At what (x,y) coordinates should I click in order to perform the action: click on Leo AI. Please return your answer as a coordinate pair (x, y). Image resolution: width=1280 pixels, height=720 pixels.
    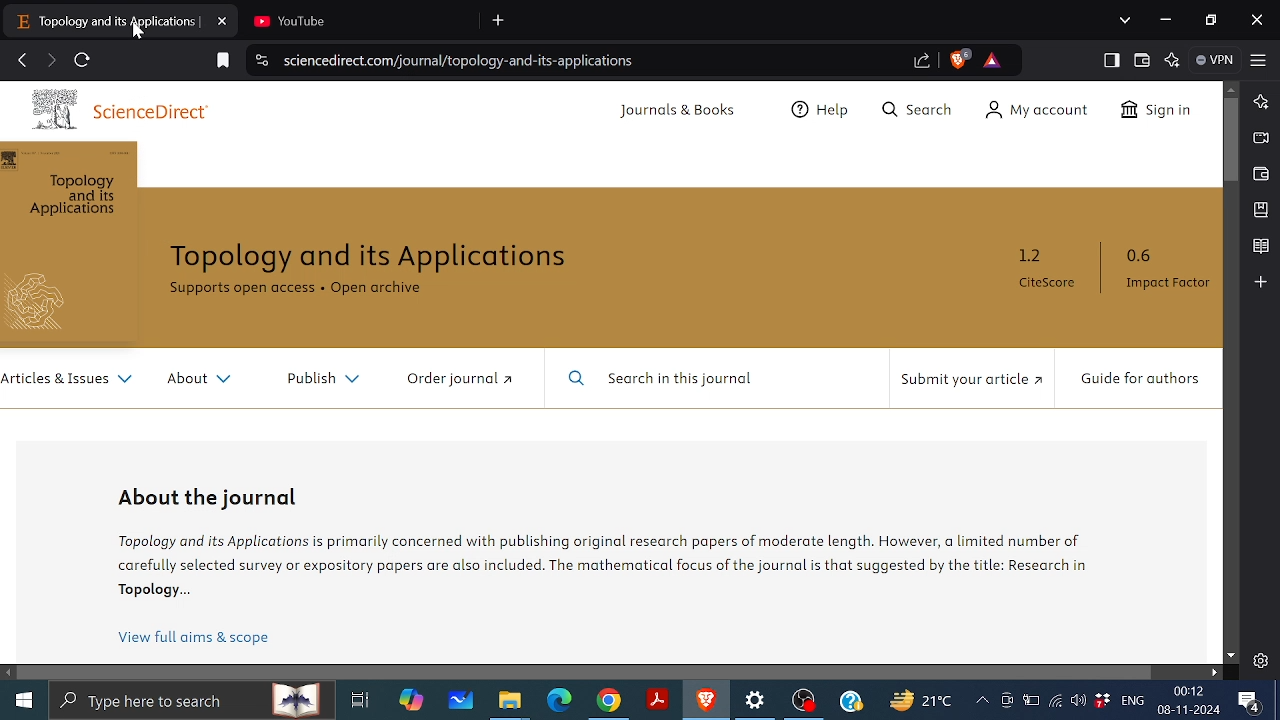
    Looking at the image, I should click on (1174, 60).